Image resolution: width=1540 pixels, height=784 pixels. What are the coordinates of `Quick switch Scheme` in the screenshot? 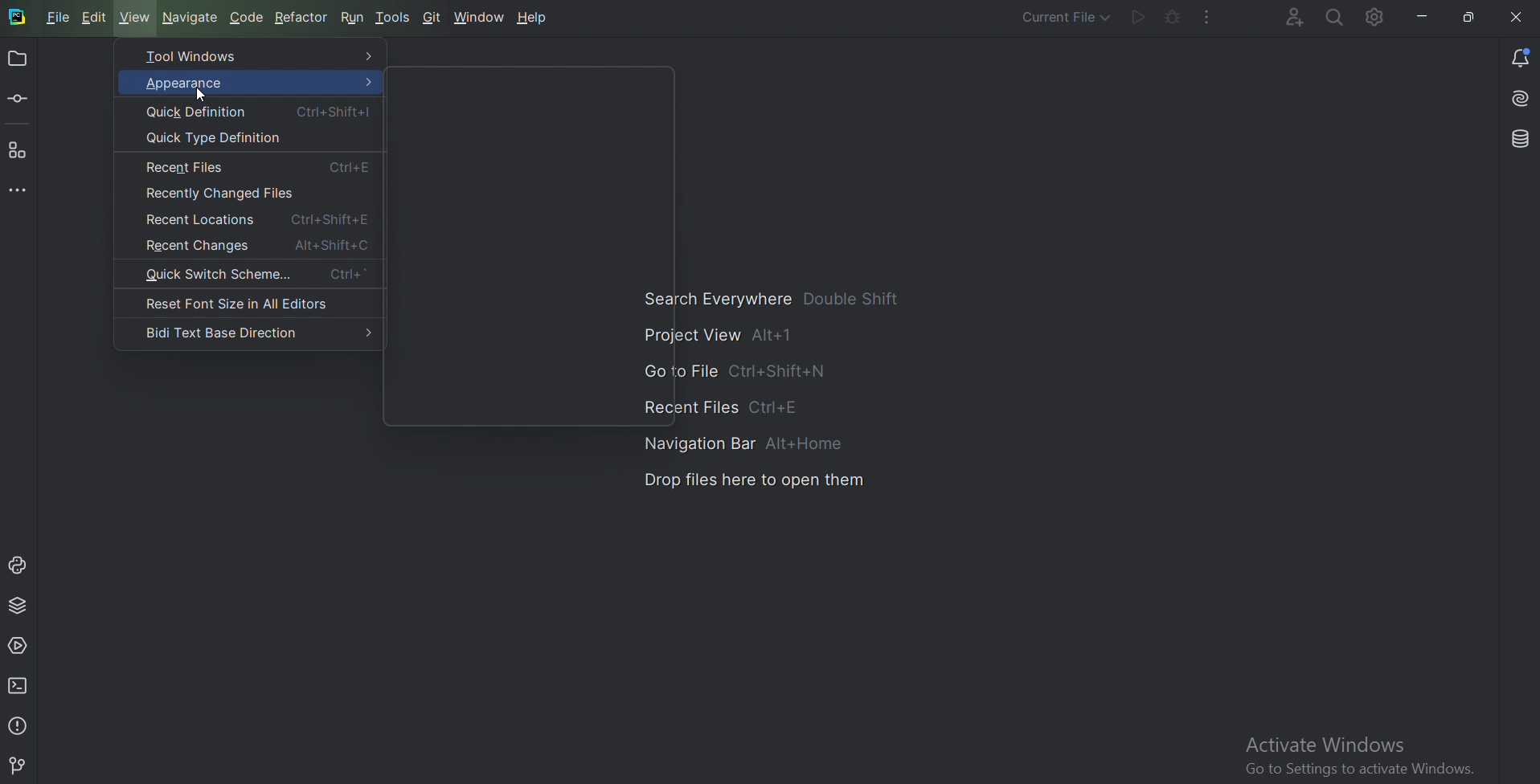 It's located at (252, 276).